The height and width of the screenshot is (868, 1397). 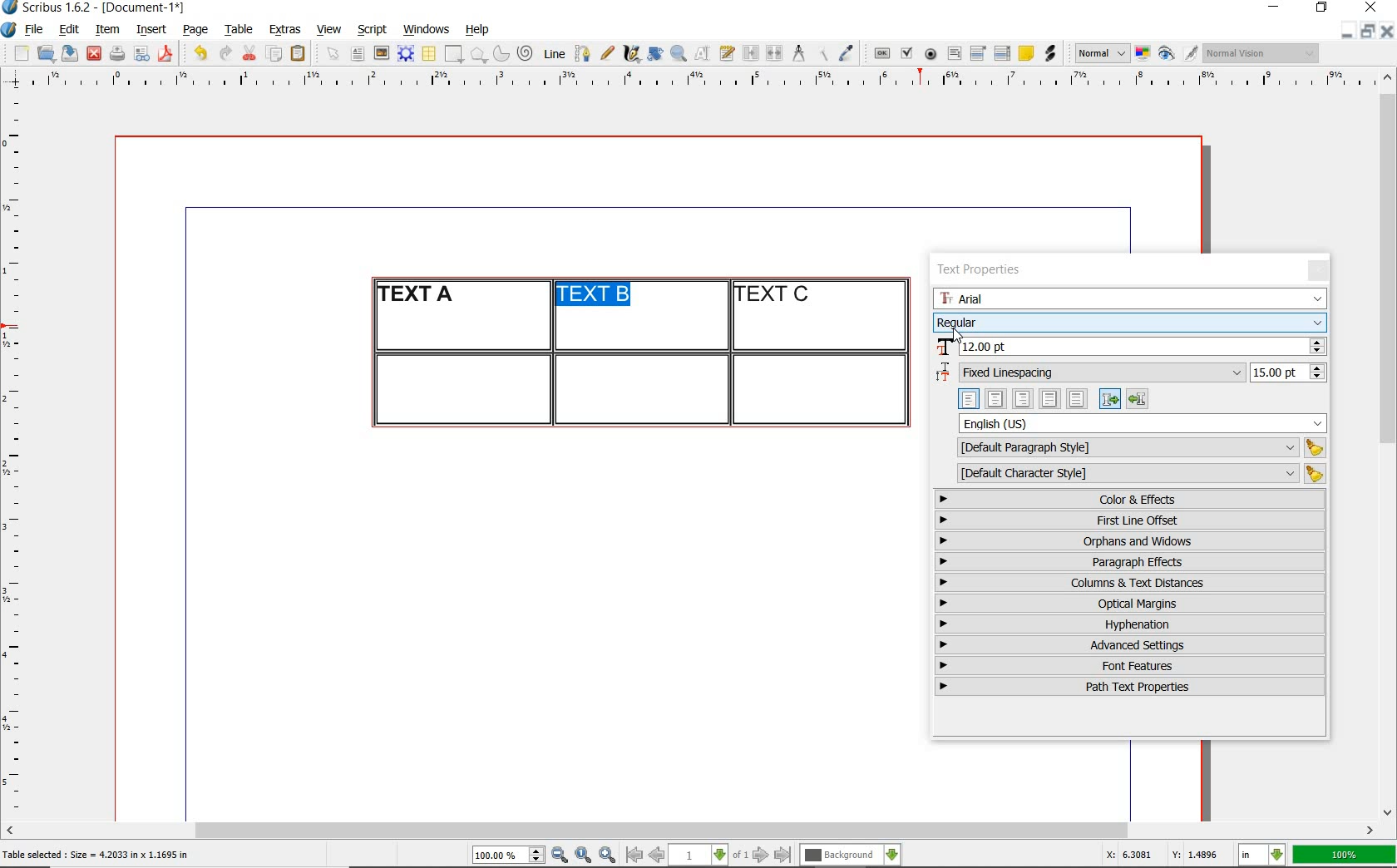 What do you see at coordinates (1052, 53) in the screenshot?
I see `link annotation` at bounding box center [1052, 53].